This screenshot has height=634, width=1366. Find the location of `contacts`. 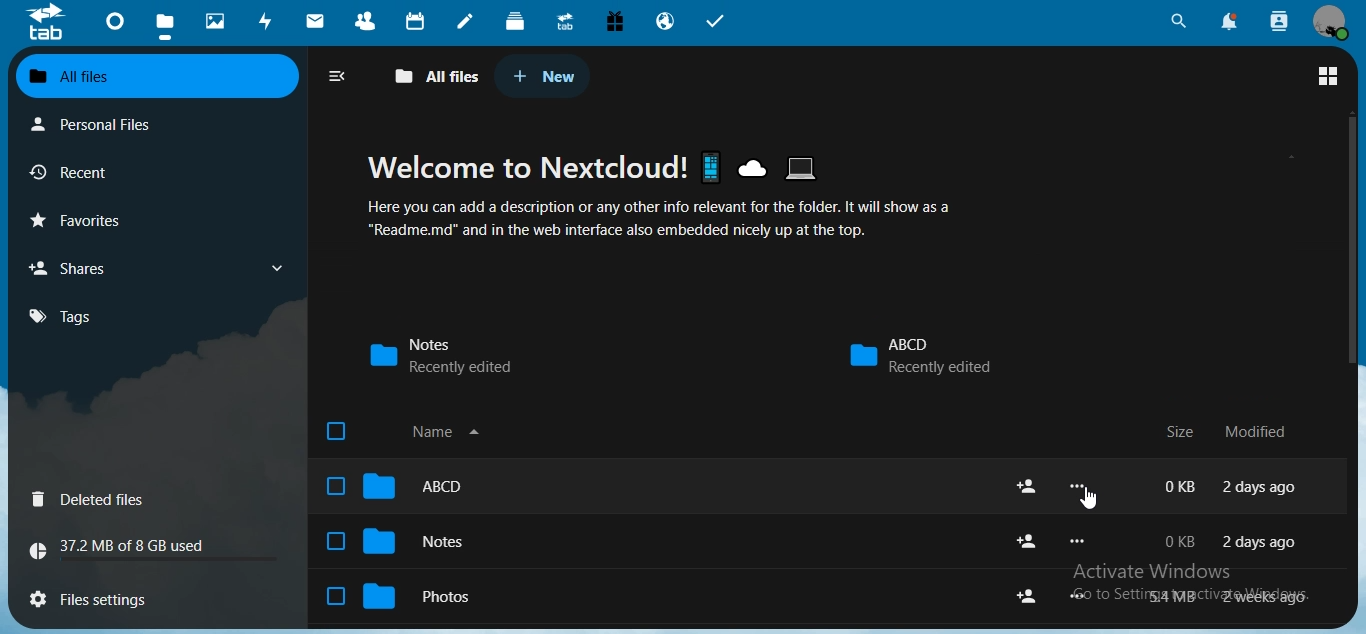

contacts is located at coordinates (365, 20).